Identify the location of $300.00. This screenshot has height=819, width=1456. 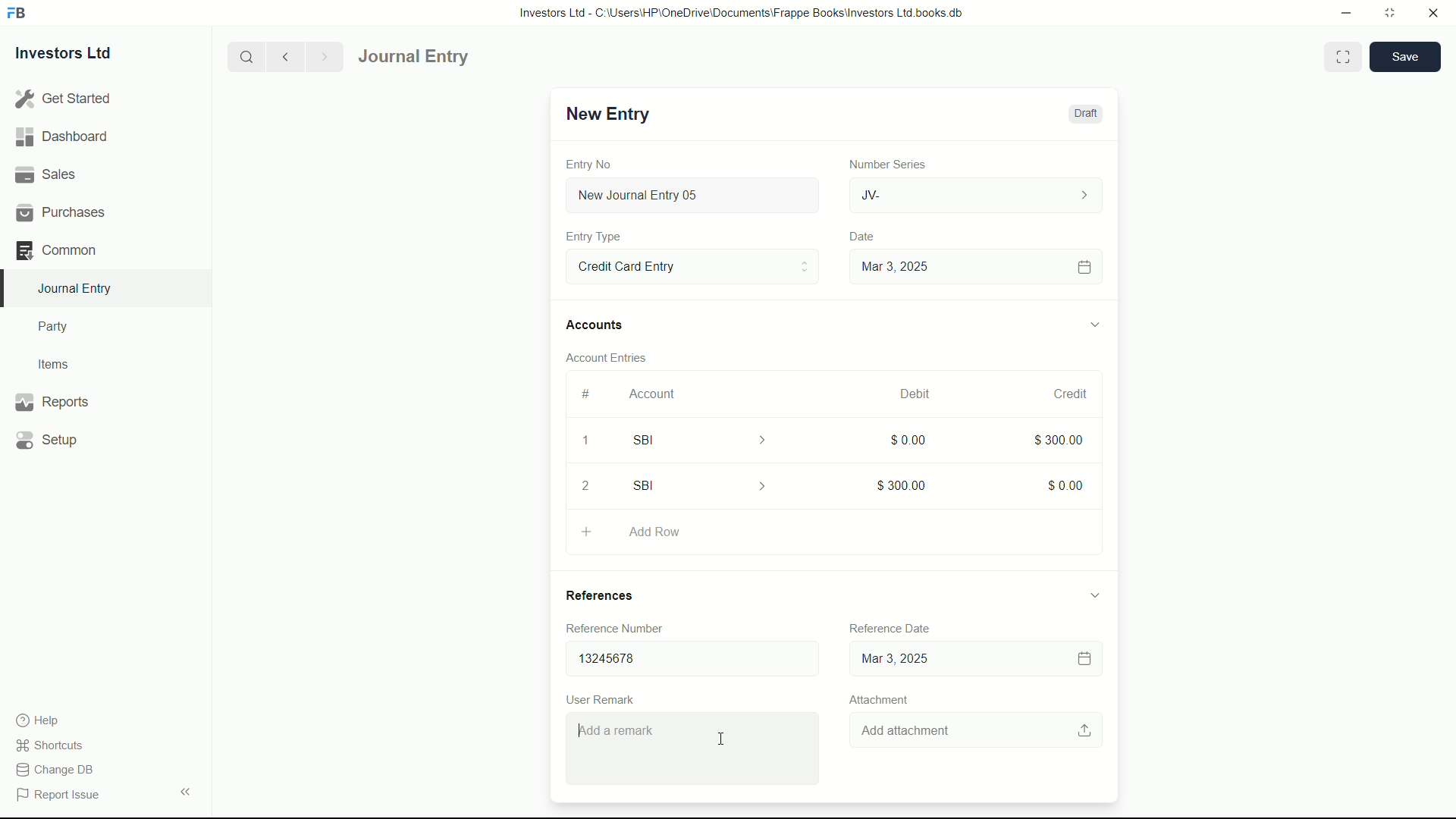
(1060, 438).